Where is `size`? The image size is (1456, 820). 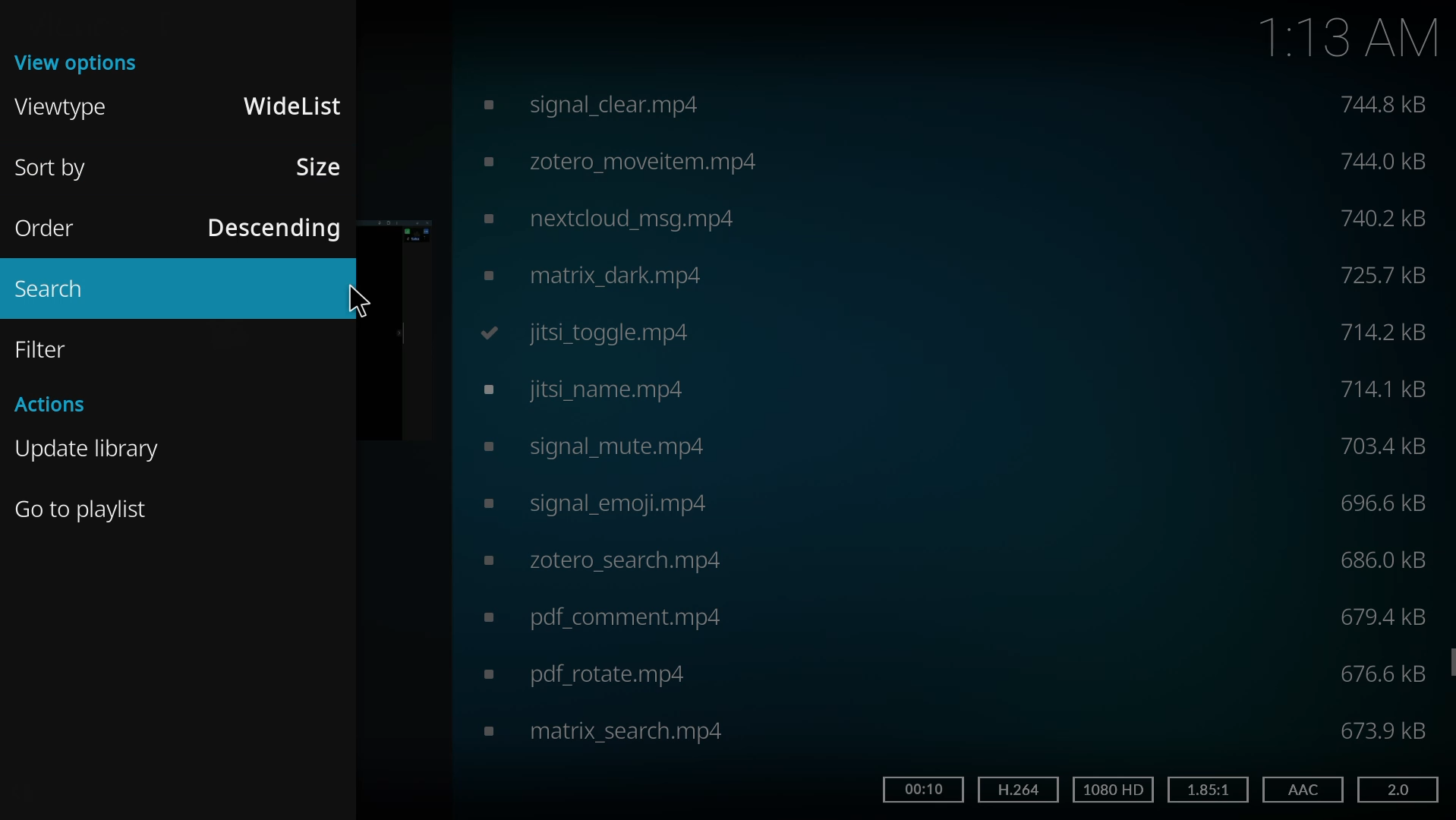
size is located at coordinates (1385, 331).